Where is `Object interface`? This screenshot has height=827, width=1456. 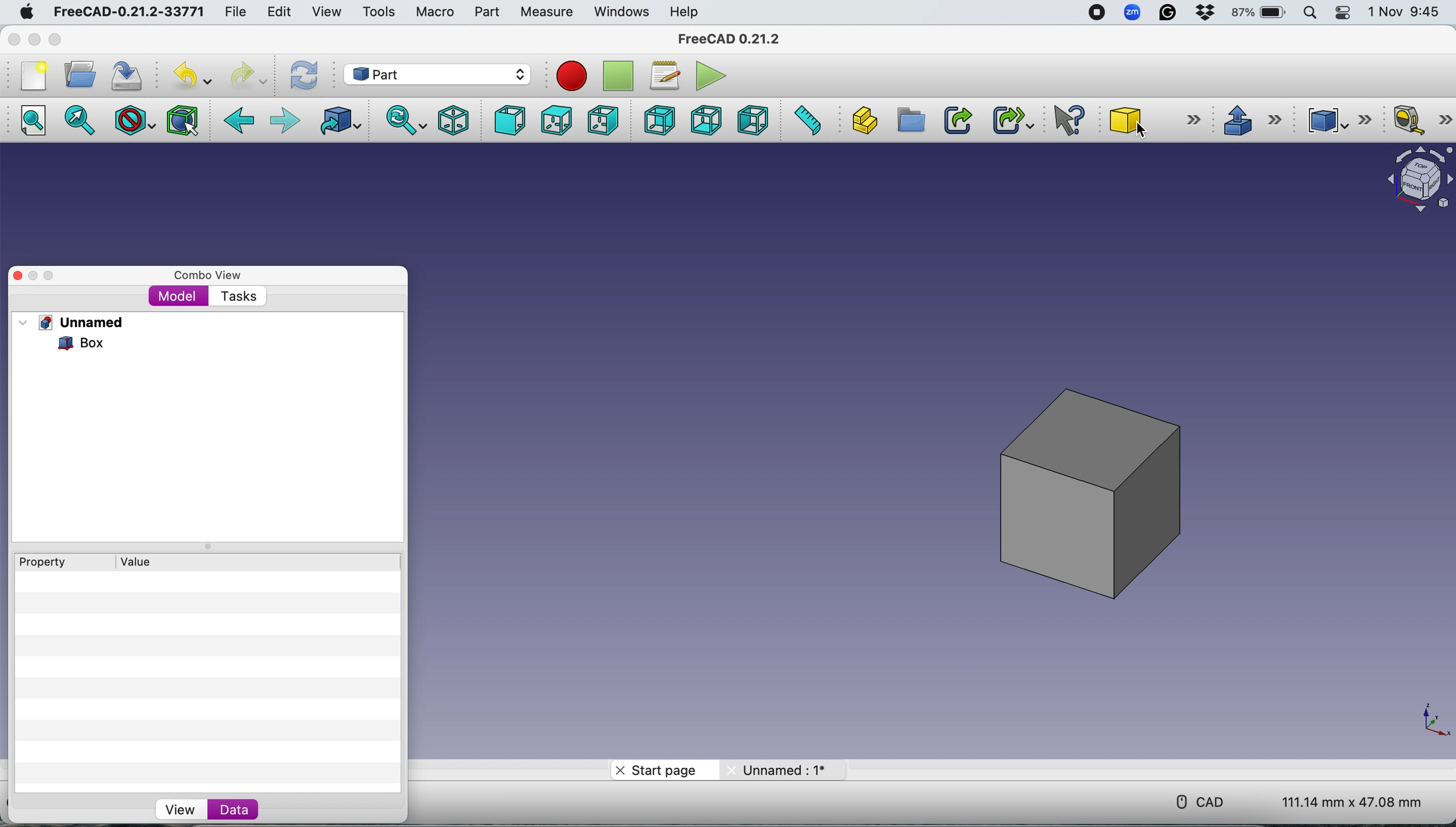
Object interface is located at coordinates (1414, 181).